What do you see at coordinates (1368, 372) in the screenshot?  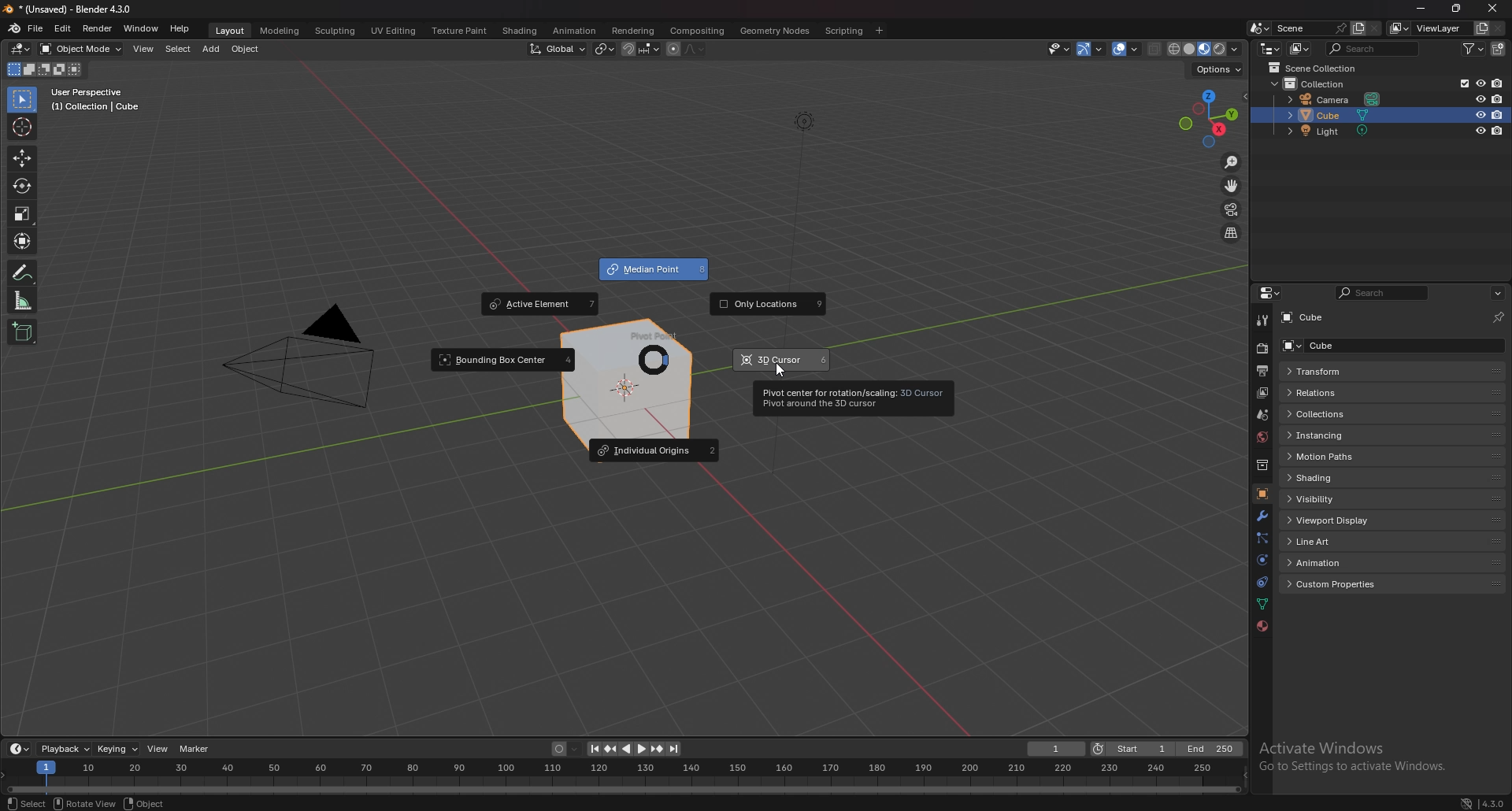 I see `transform` at bounding box center [1368, 372].